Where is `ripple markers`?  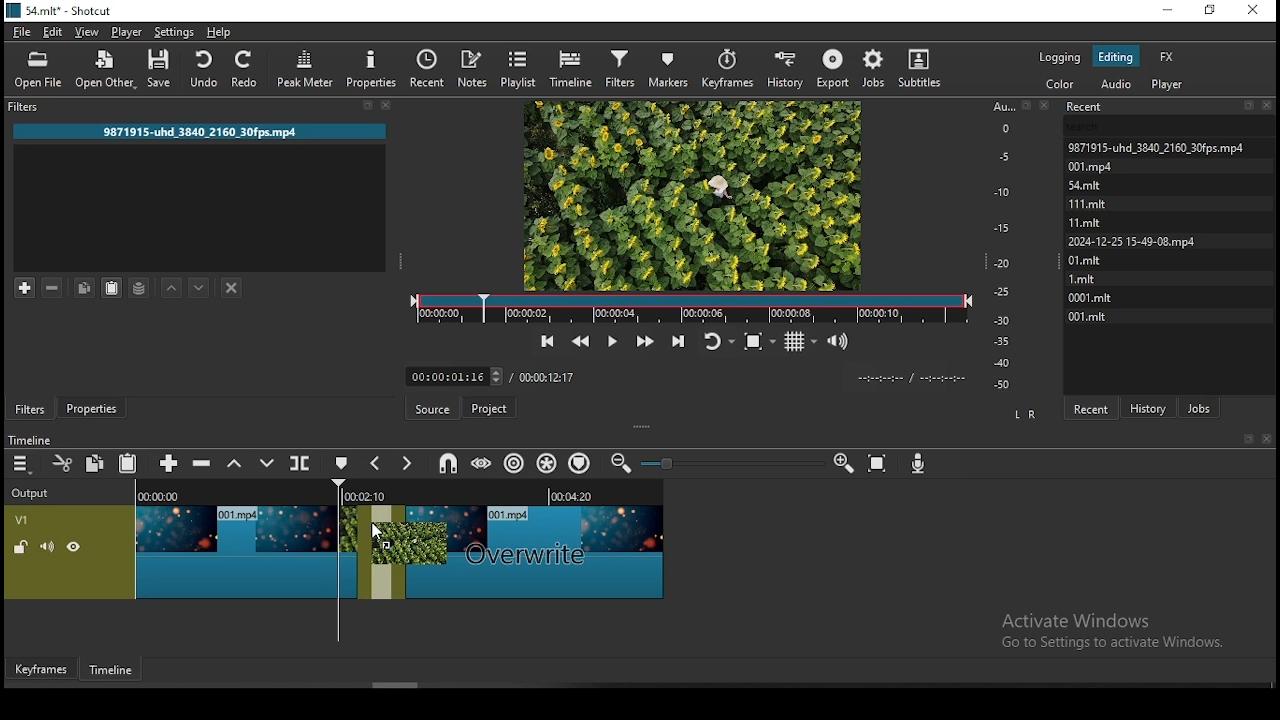 ripple markers is located at coordinates (579, 462).